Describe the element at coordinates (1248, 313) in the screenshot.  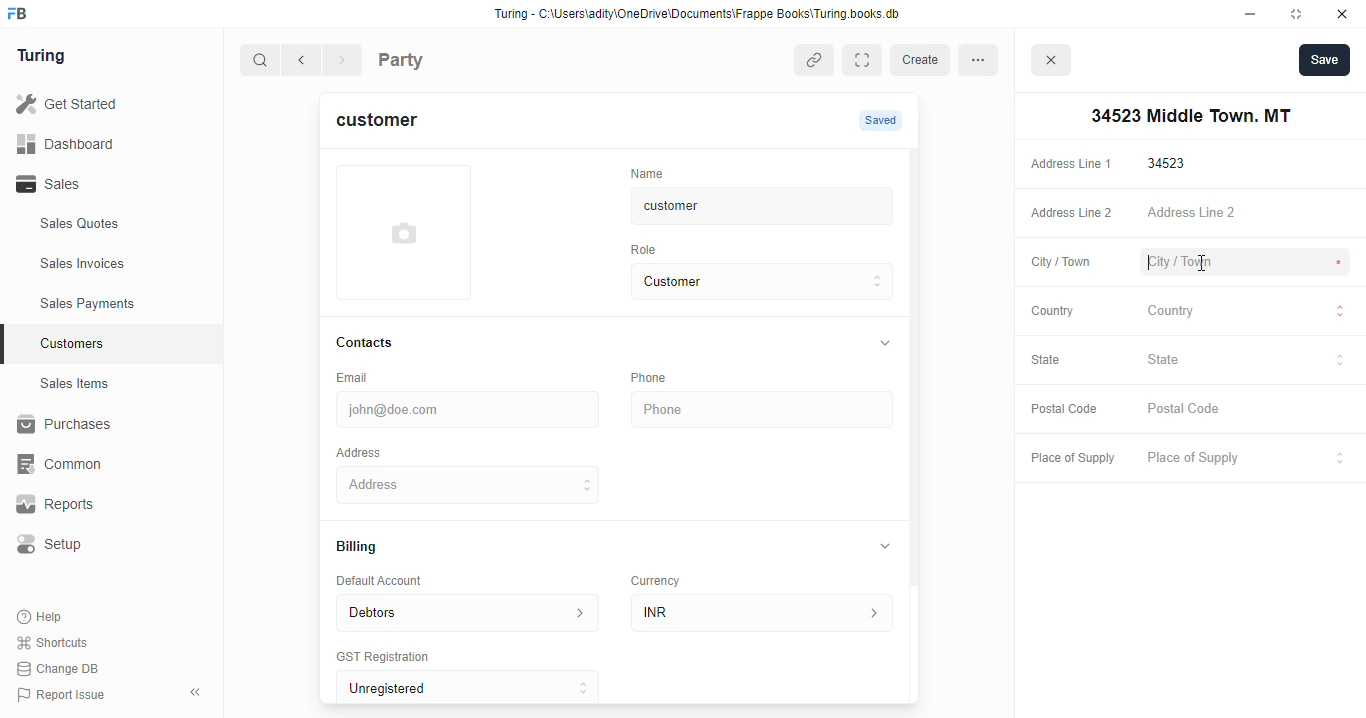
I see `Country` at that location.